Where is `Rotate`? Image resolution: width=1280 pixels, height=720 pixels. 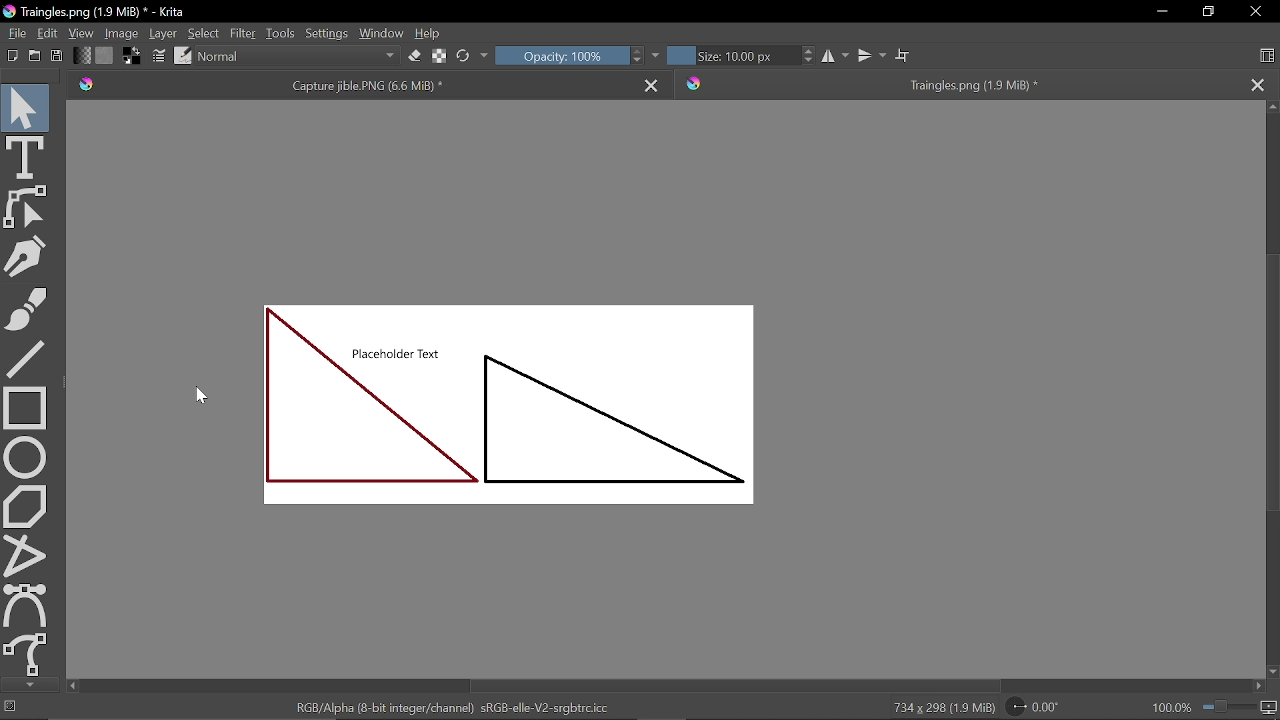 Rotate is located at coordinates (1044, 708).